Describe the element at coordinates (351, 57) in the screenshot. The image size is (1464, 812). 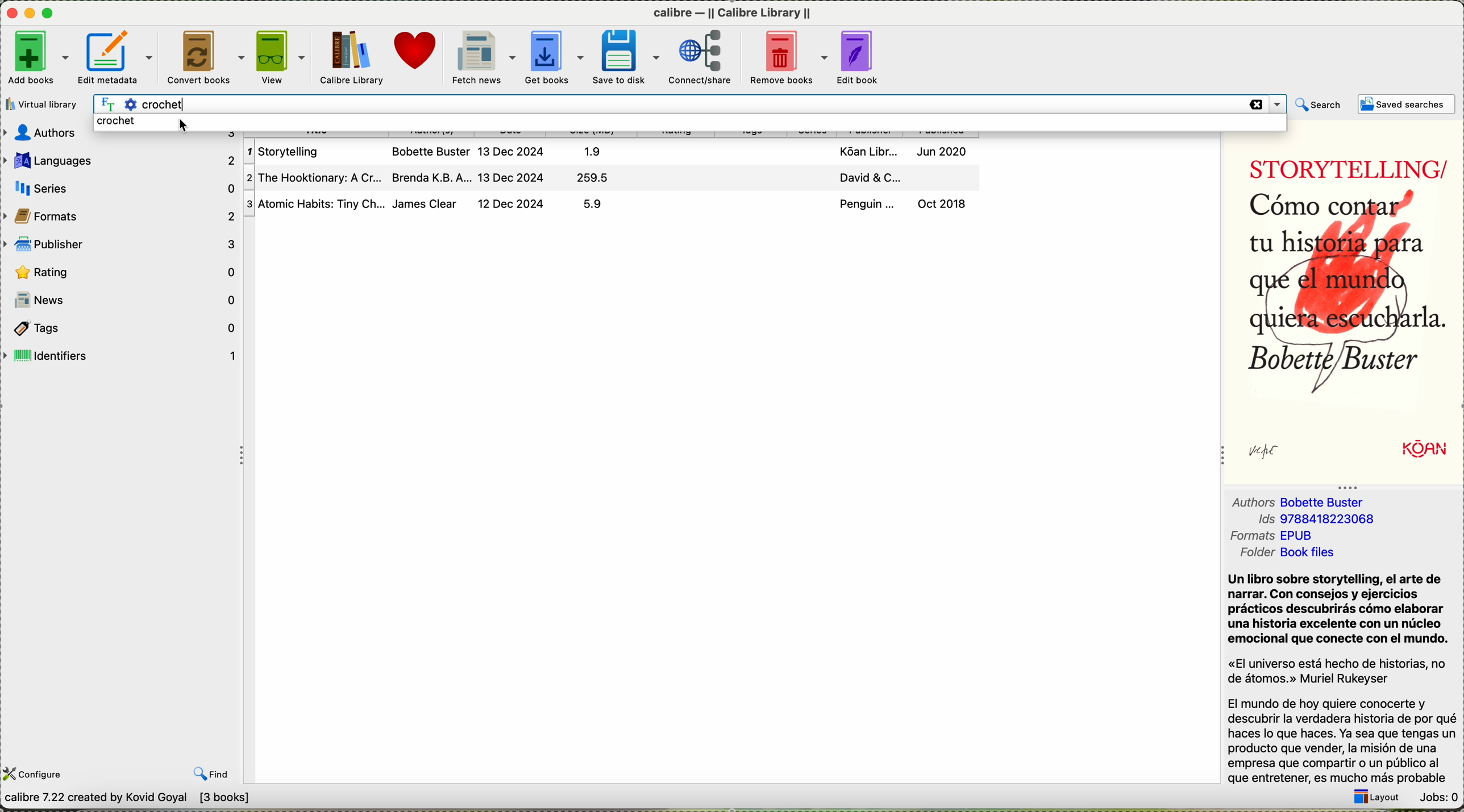
I see `Calibre library` at that location.